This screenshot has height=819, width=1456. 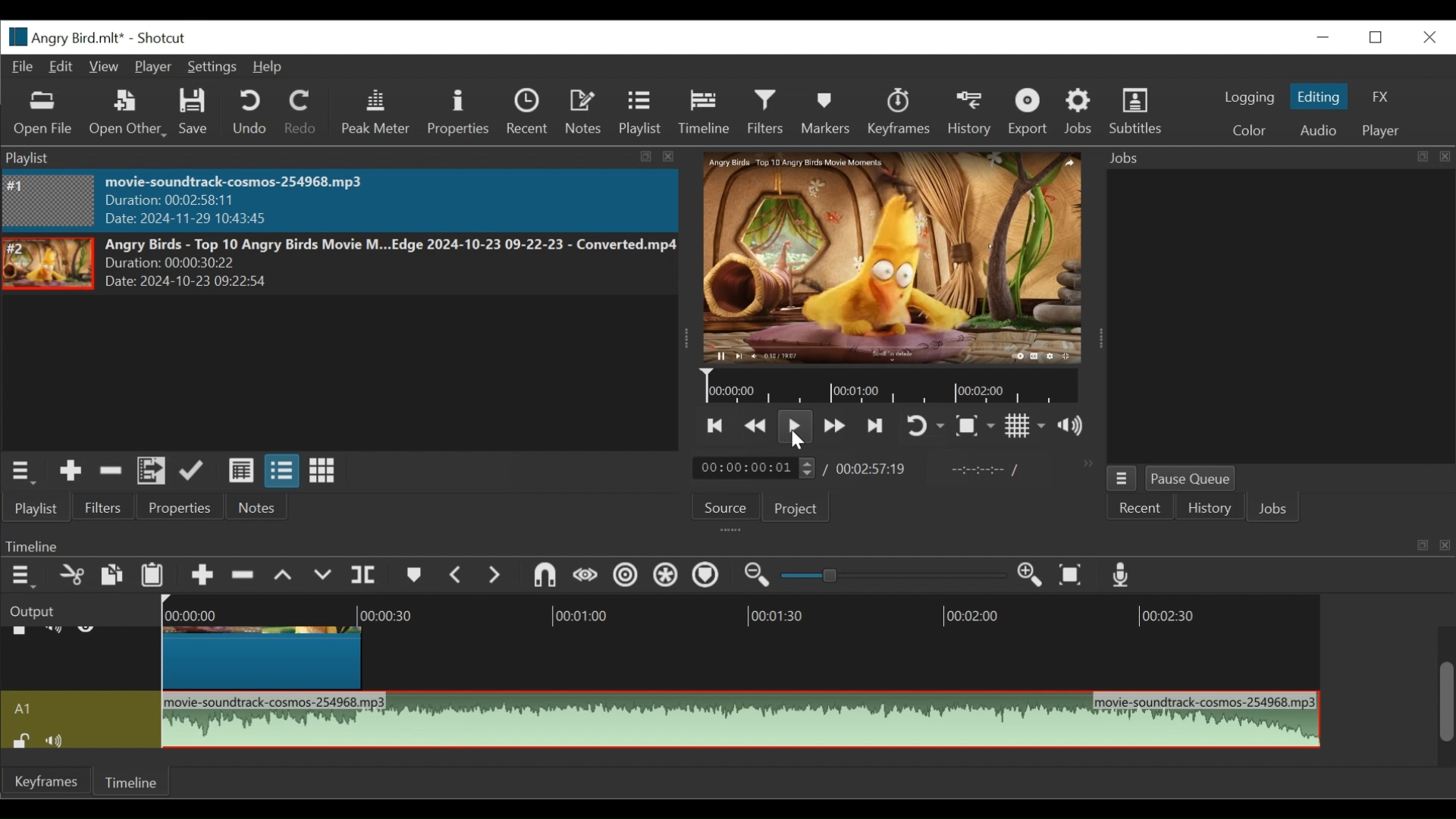 I want to click on Play quickly forward, so click(x=832, y=426).